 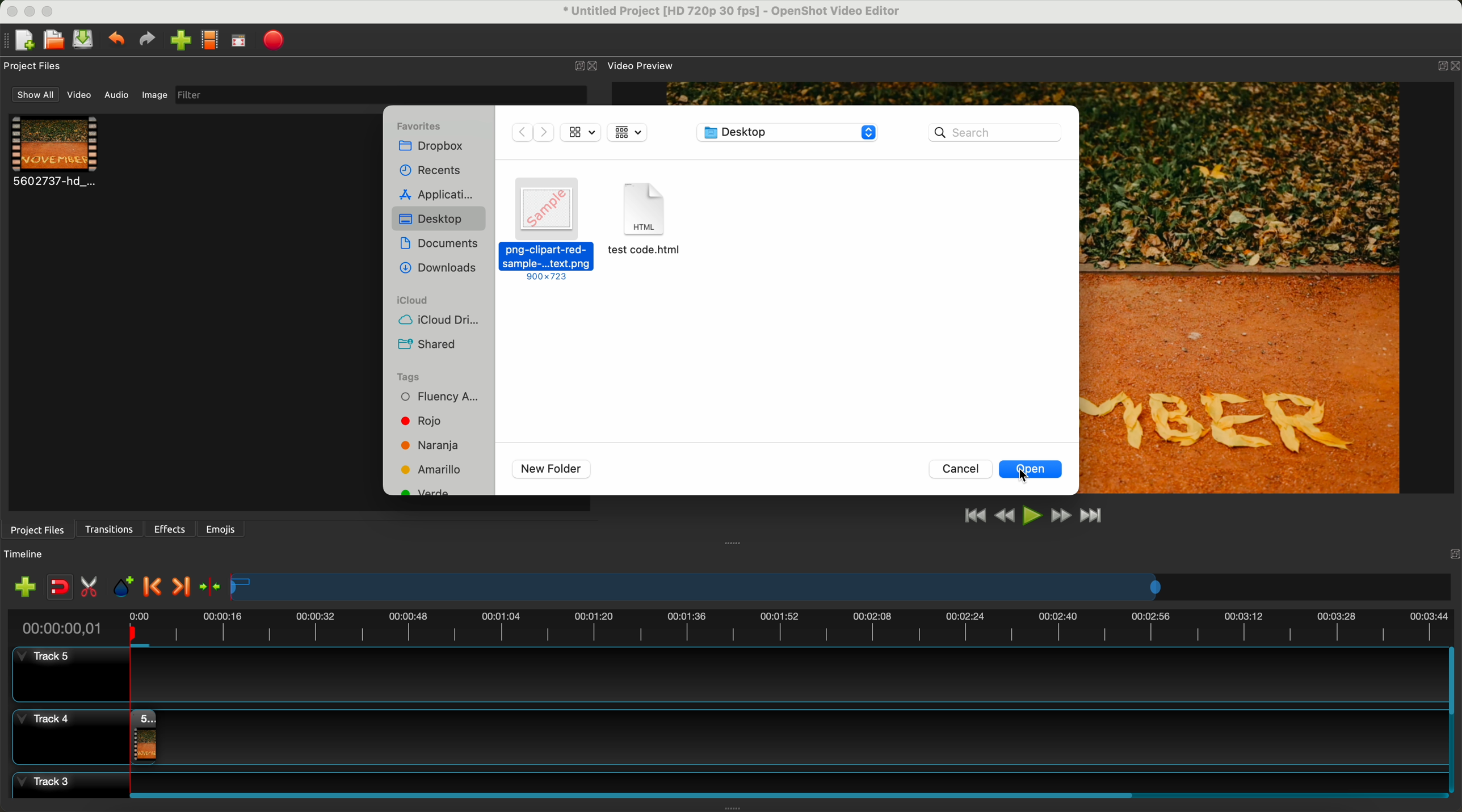 What do you see at coordinates (975, 516) in the screenshot?
I see `jump to start` at bounding box center [975, 516].